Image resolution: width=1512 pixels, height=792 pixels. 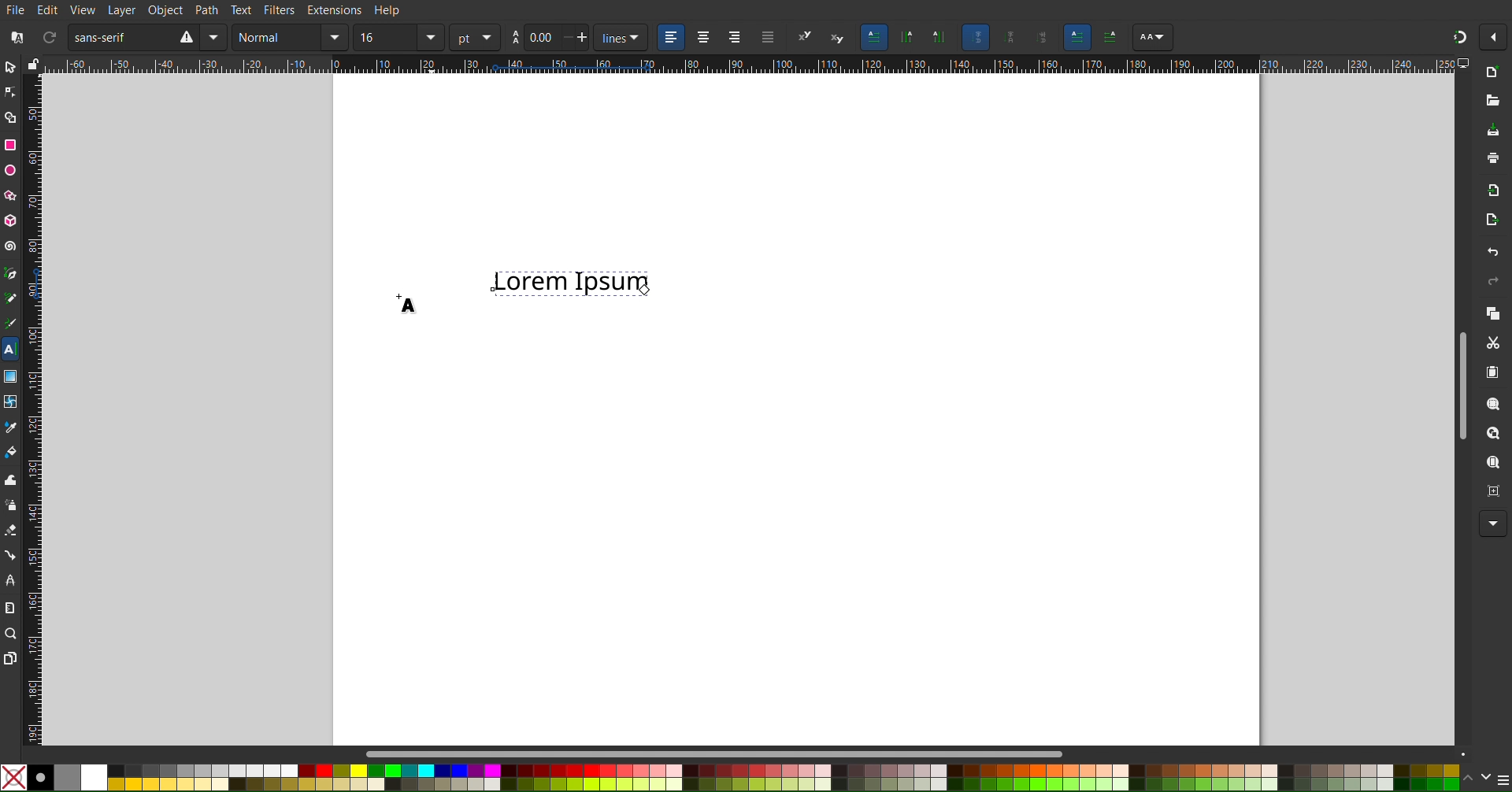 What do you see at coordinates (475, 37) in the screenshot?
I see `pt menu` at bounding box center [475, 37].